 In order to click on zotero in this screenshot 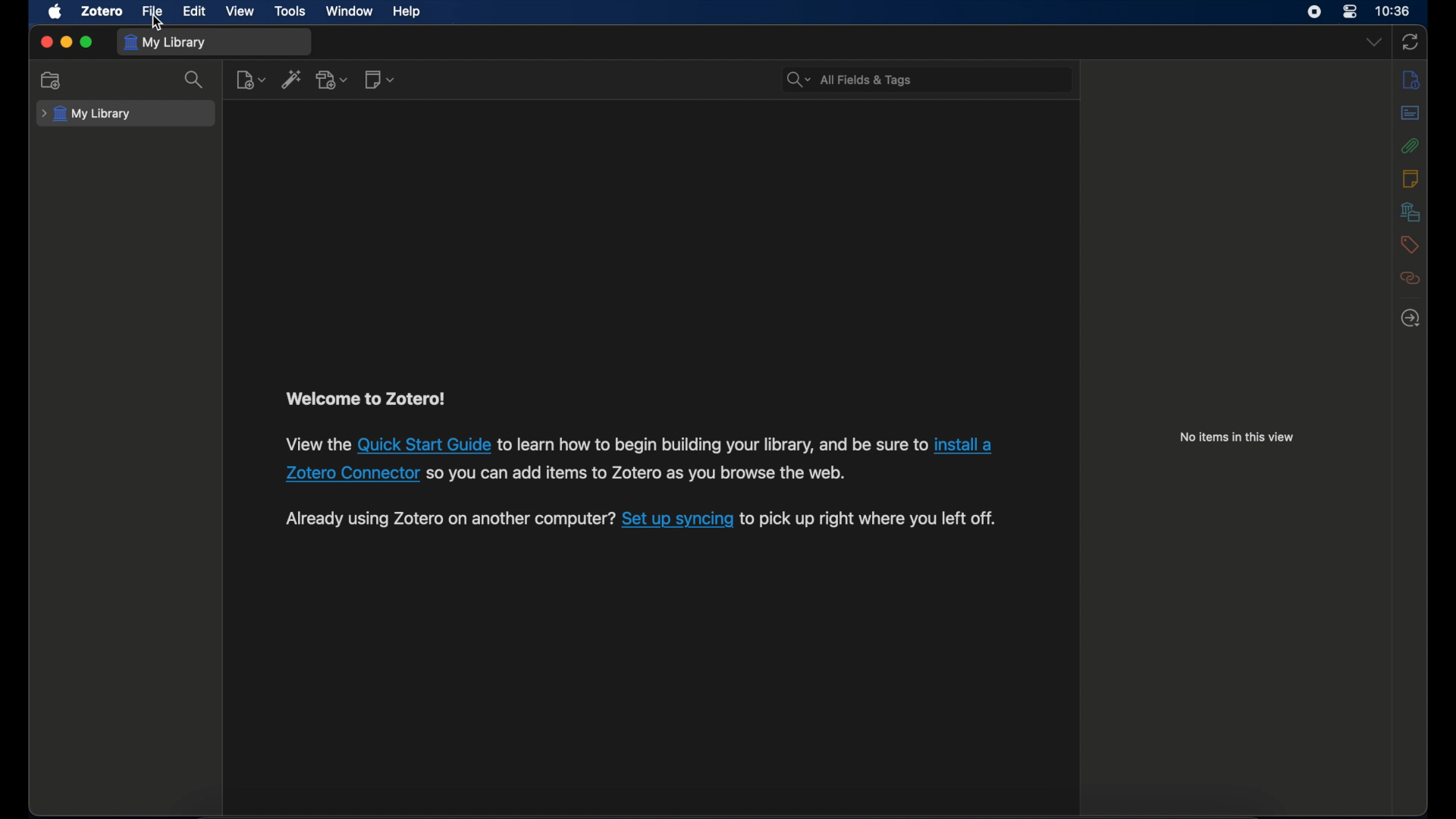, I will do `click(102, 11)`.